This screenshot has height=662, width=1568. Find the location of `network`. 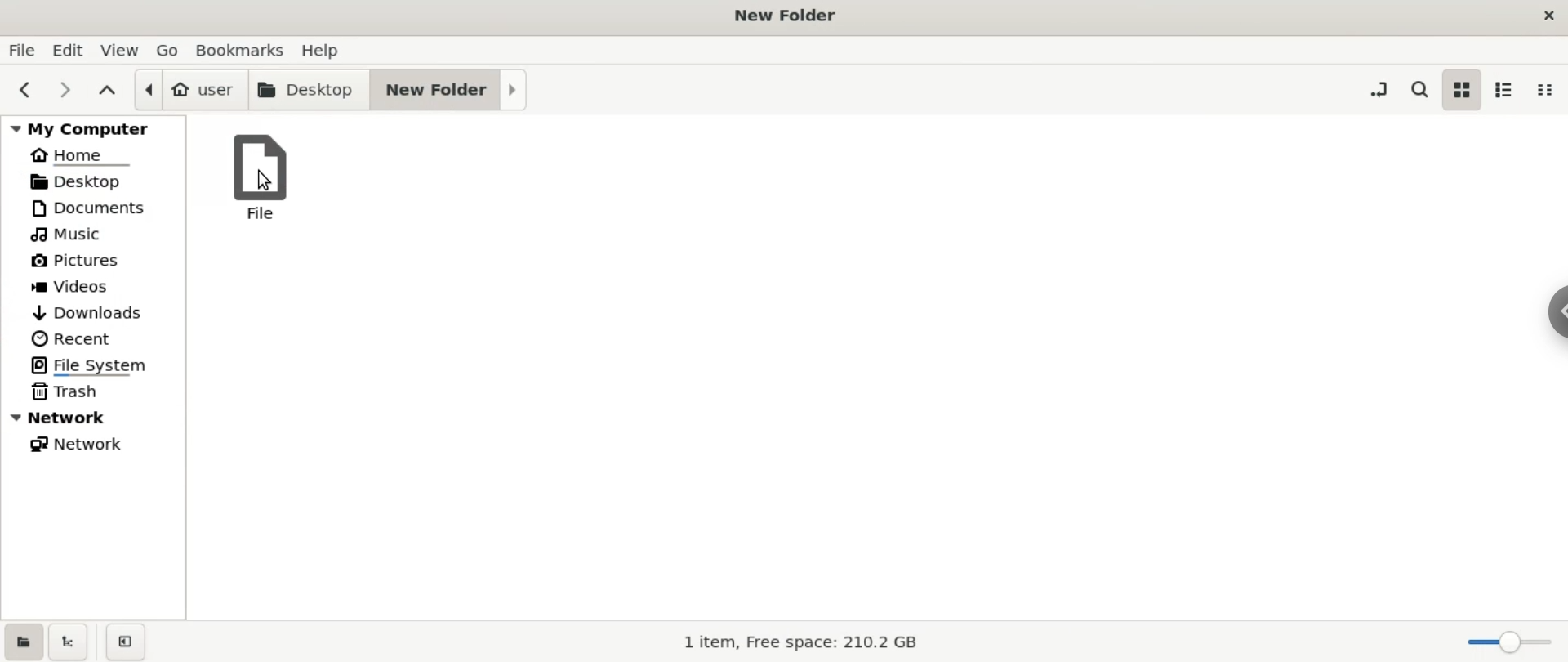

network is located at coordinates (95, 445).